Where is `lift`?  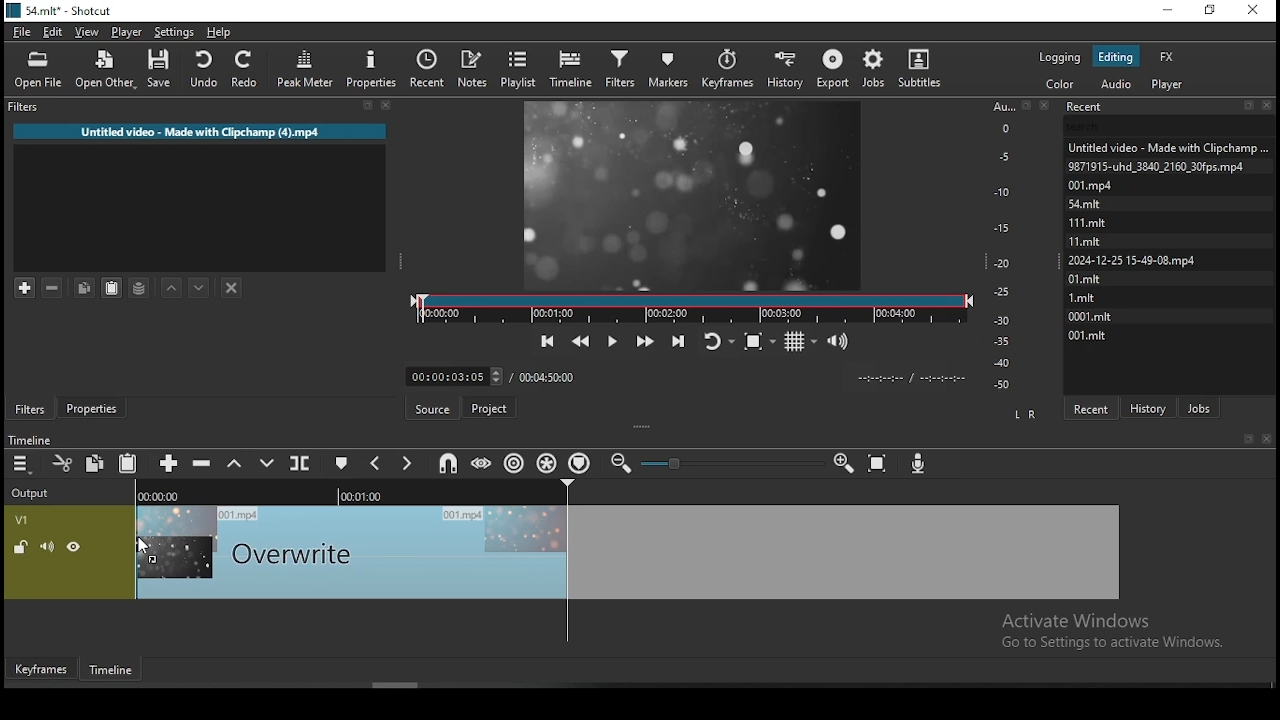
lift is located at coordinates (232, 464).